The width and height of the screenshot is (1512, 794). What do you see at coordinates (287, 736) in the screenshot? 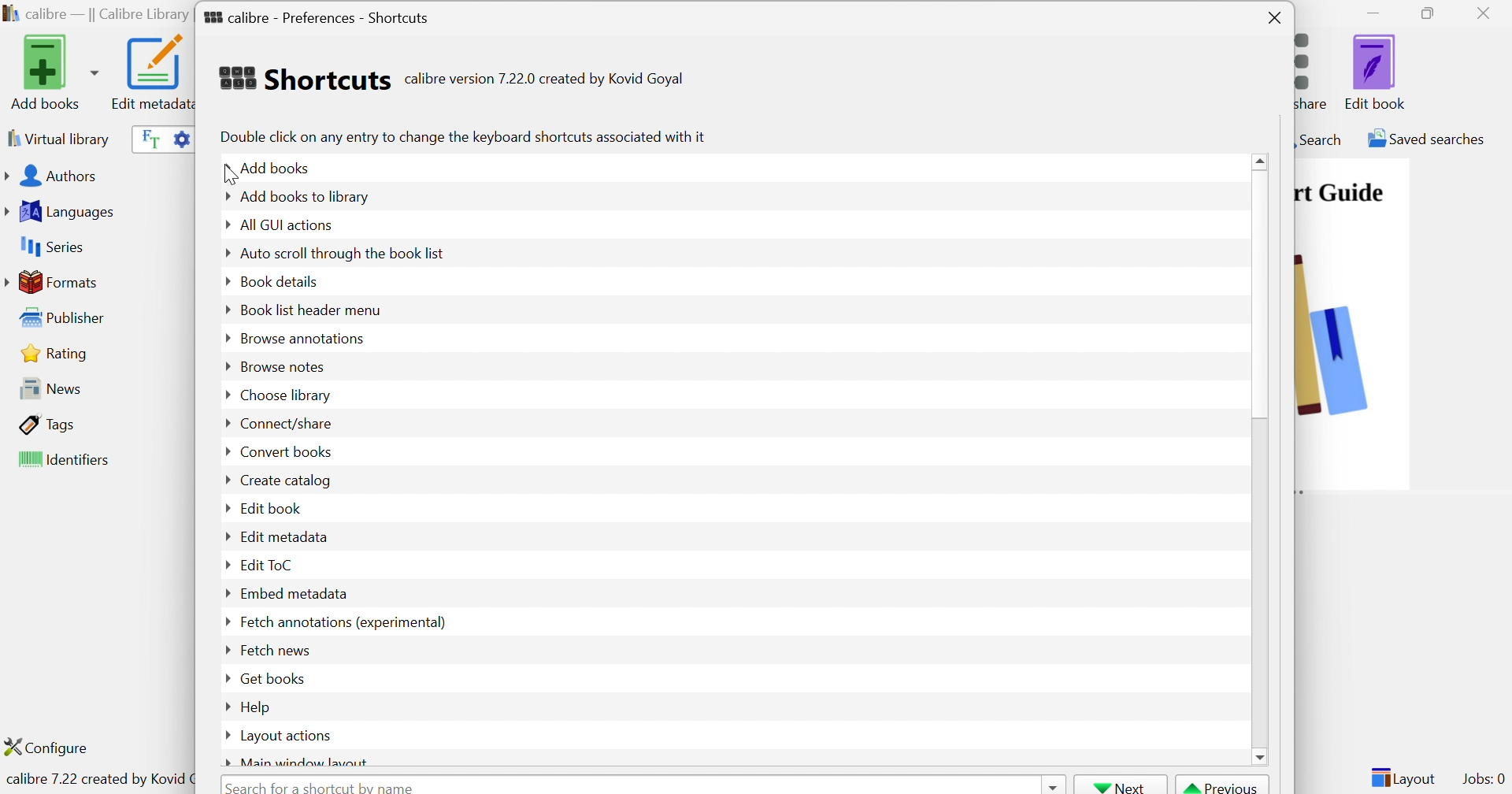
I see `Layout actions` at bounding box center [287, 736].